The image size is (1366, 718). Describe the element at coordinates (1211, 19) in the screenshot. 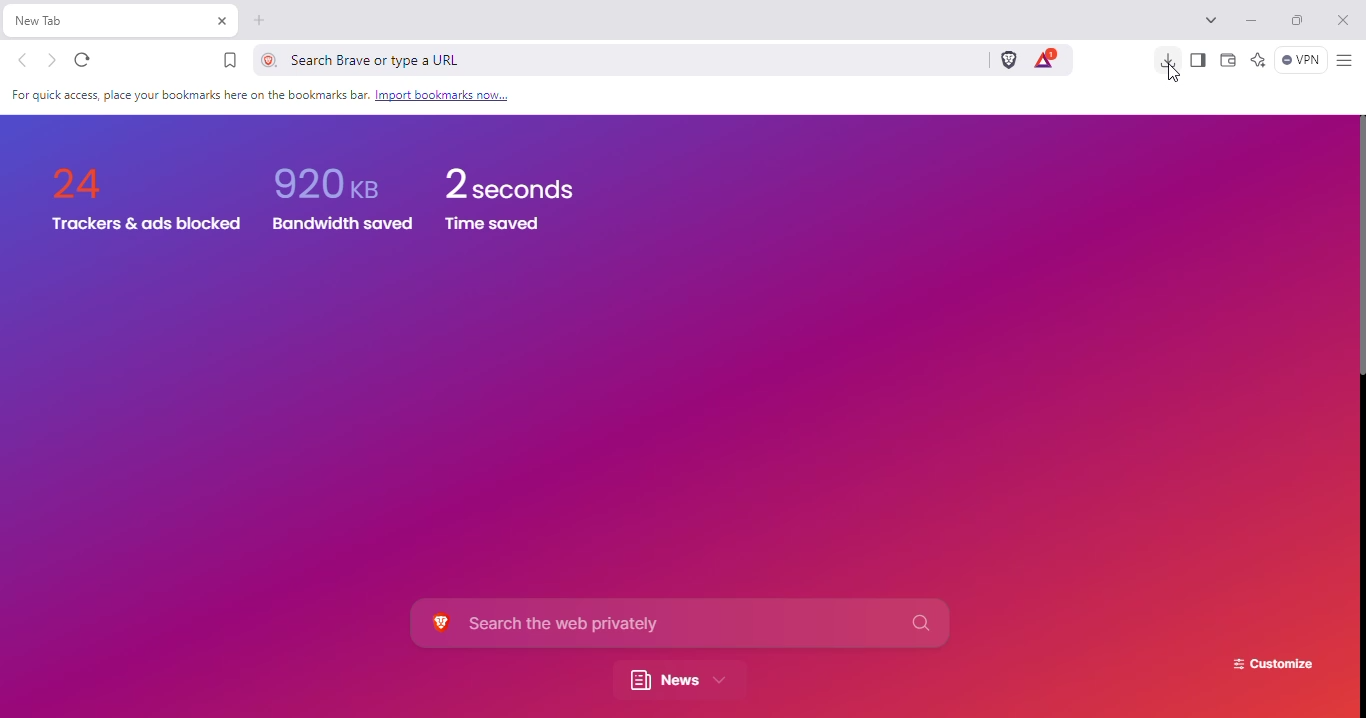

I see `search tabs` at that location.